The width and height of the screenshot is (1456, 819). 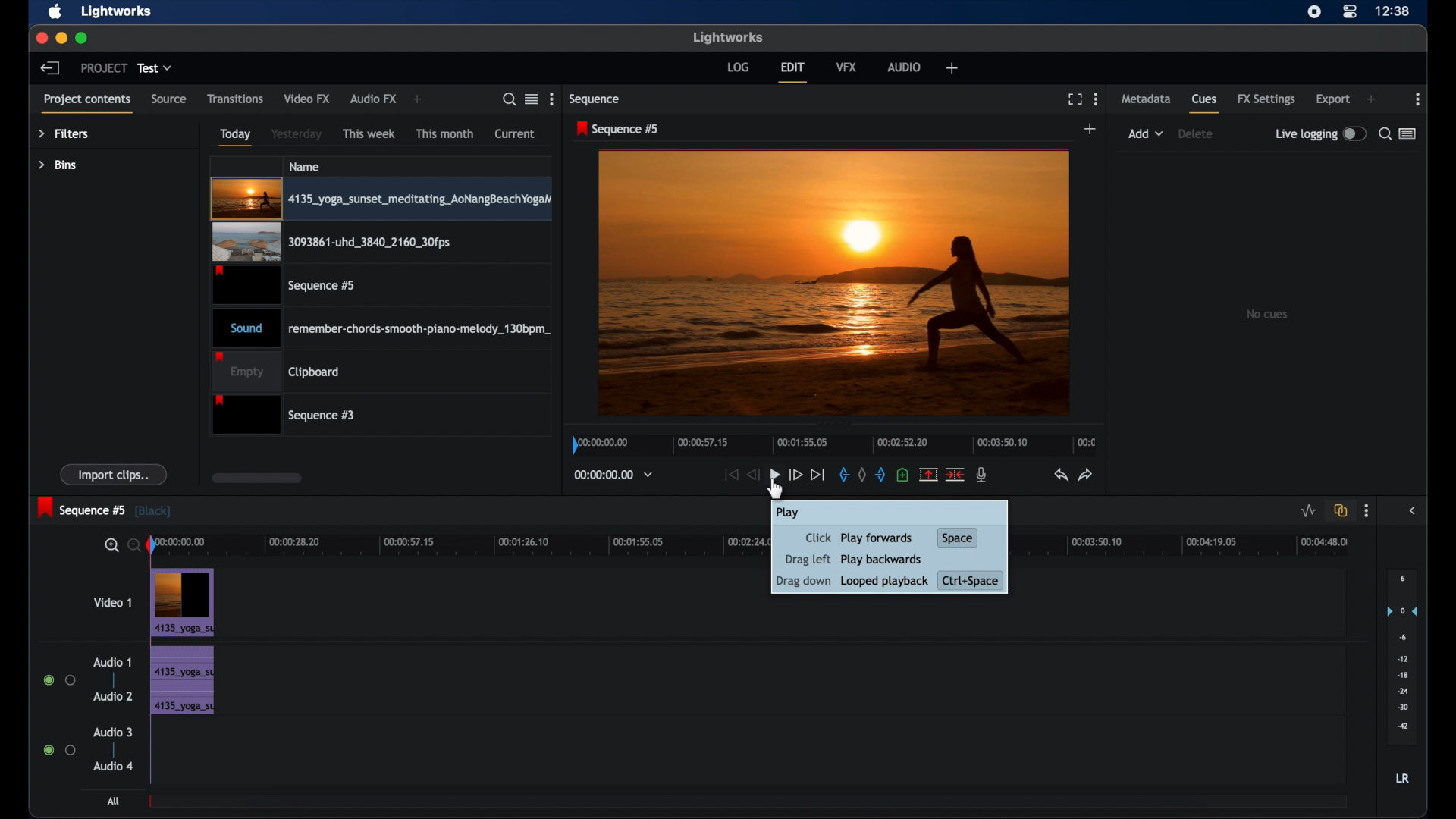 What do you see at coordinates (297, 133) in the screenshot?
I see `yesterday` at bounding box center [297, 133].